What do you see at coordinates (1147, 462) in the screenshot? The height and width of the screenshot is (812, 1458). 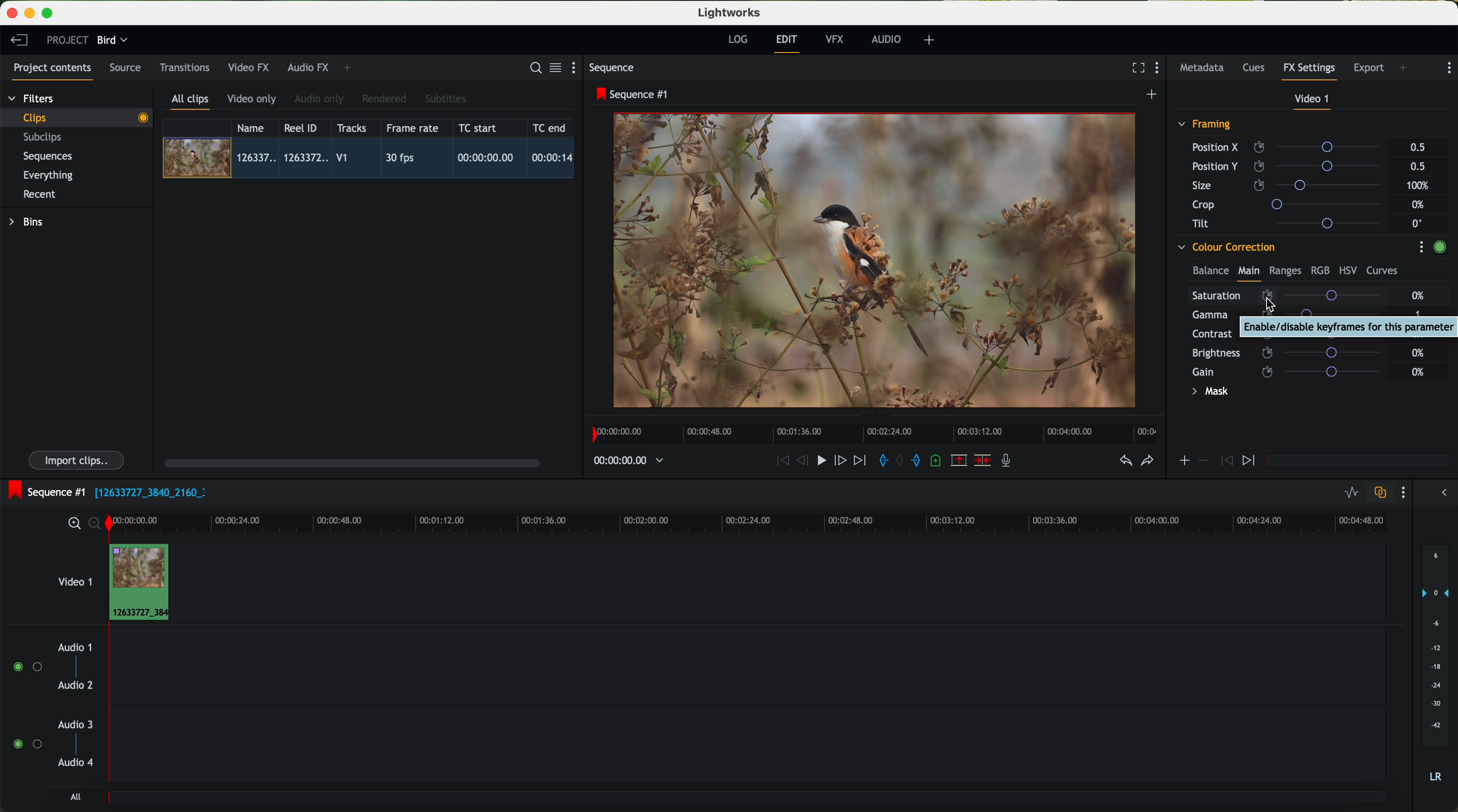 I see `redo` at bounding box center [1147, 462].